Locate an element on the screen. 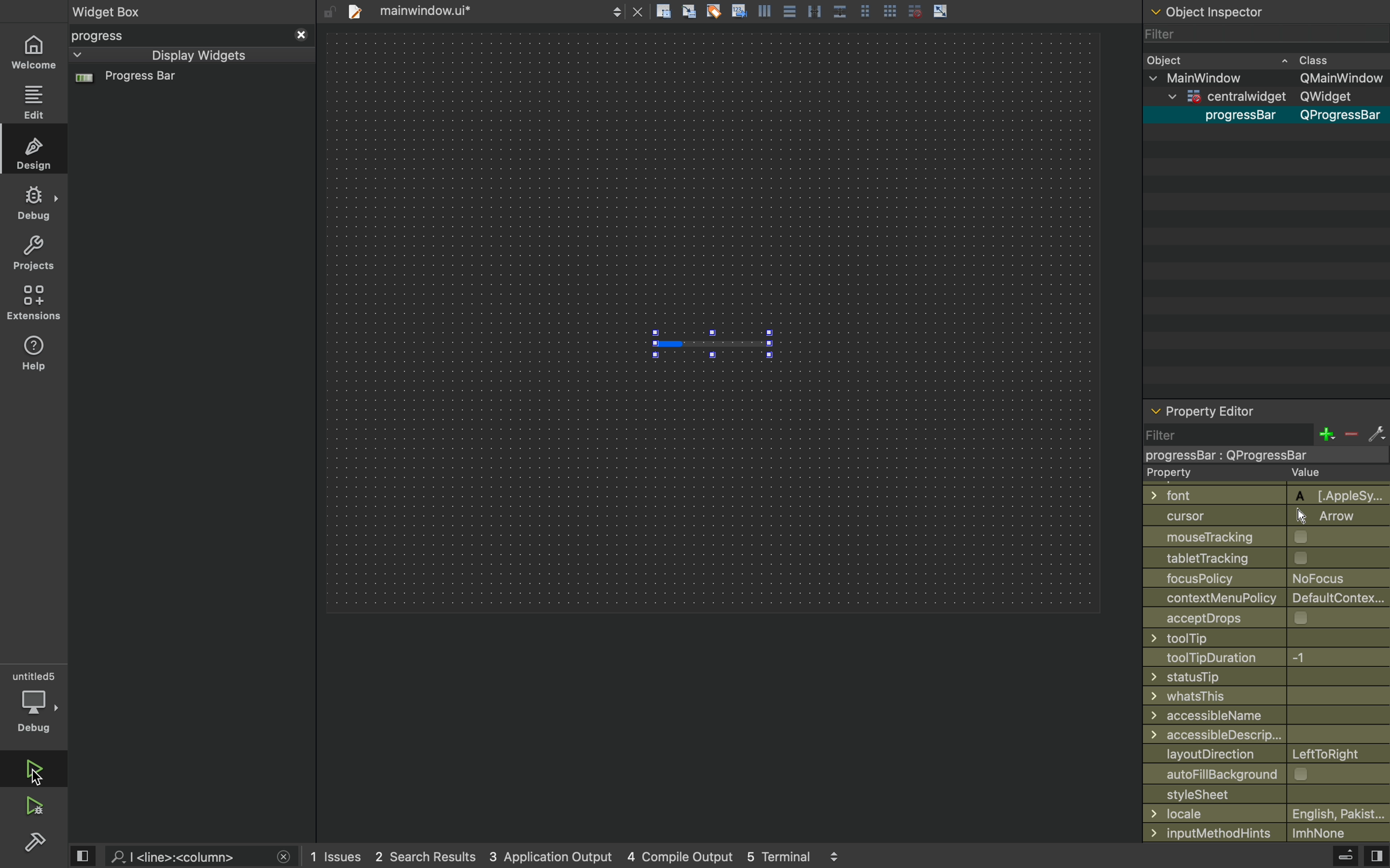 The image size is (1390, 868). cursor is located at coordinates (1260, 516).